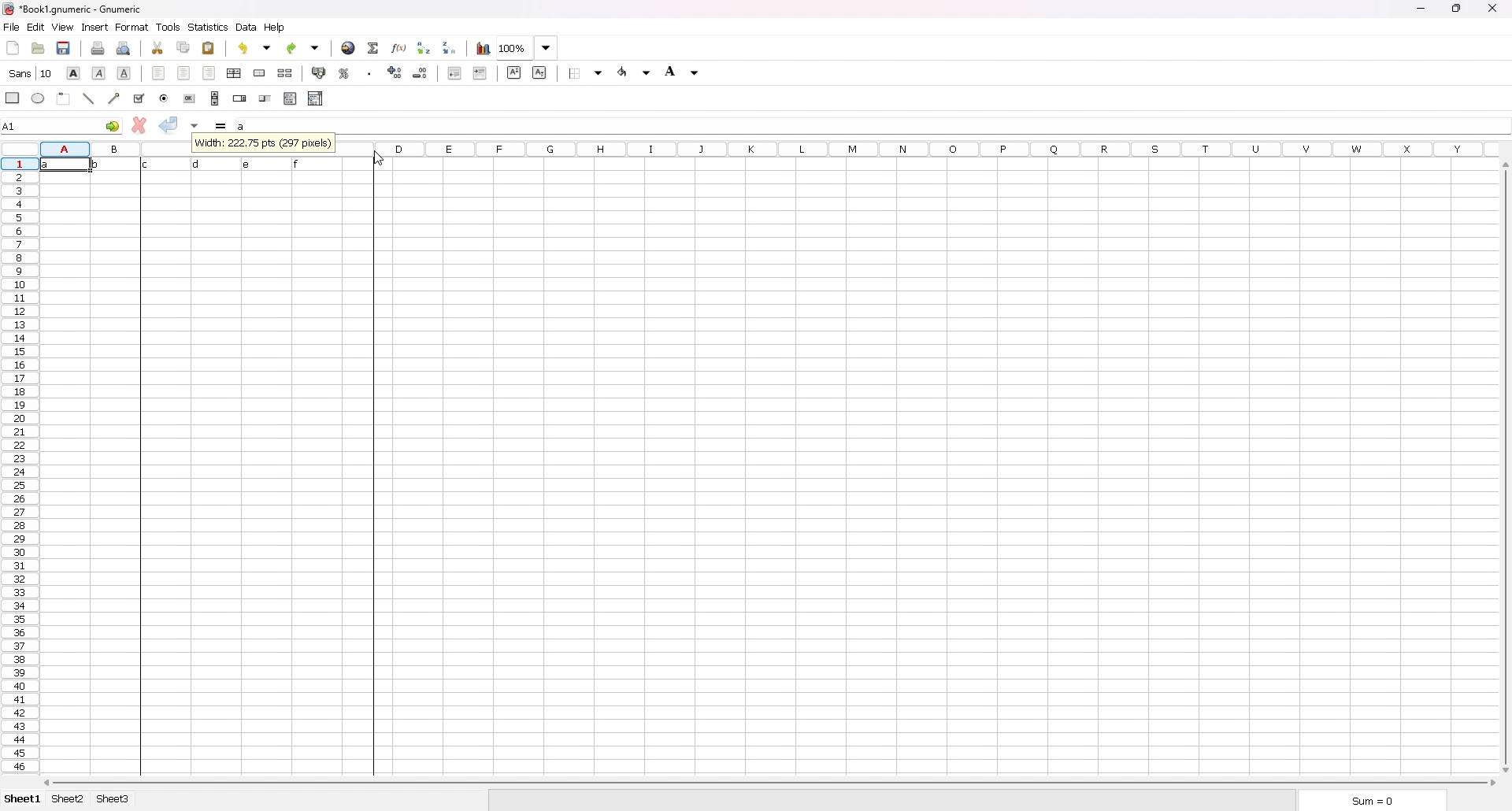 The height and width of the screenshot is (811, 1512). I want to click on rows, so click(17, 465).